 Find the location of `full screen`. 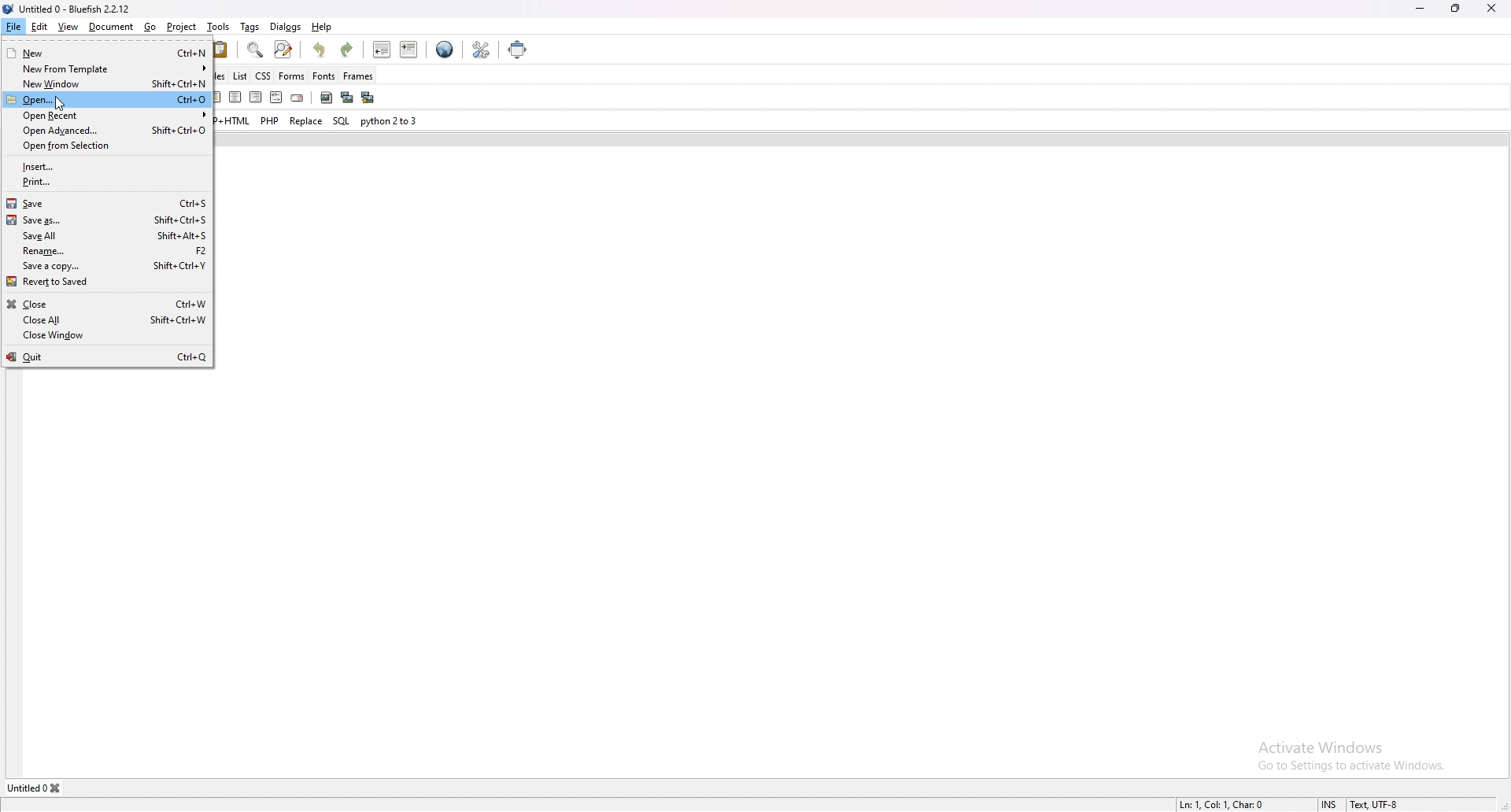

full screen is located at coordinates (518, 50).